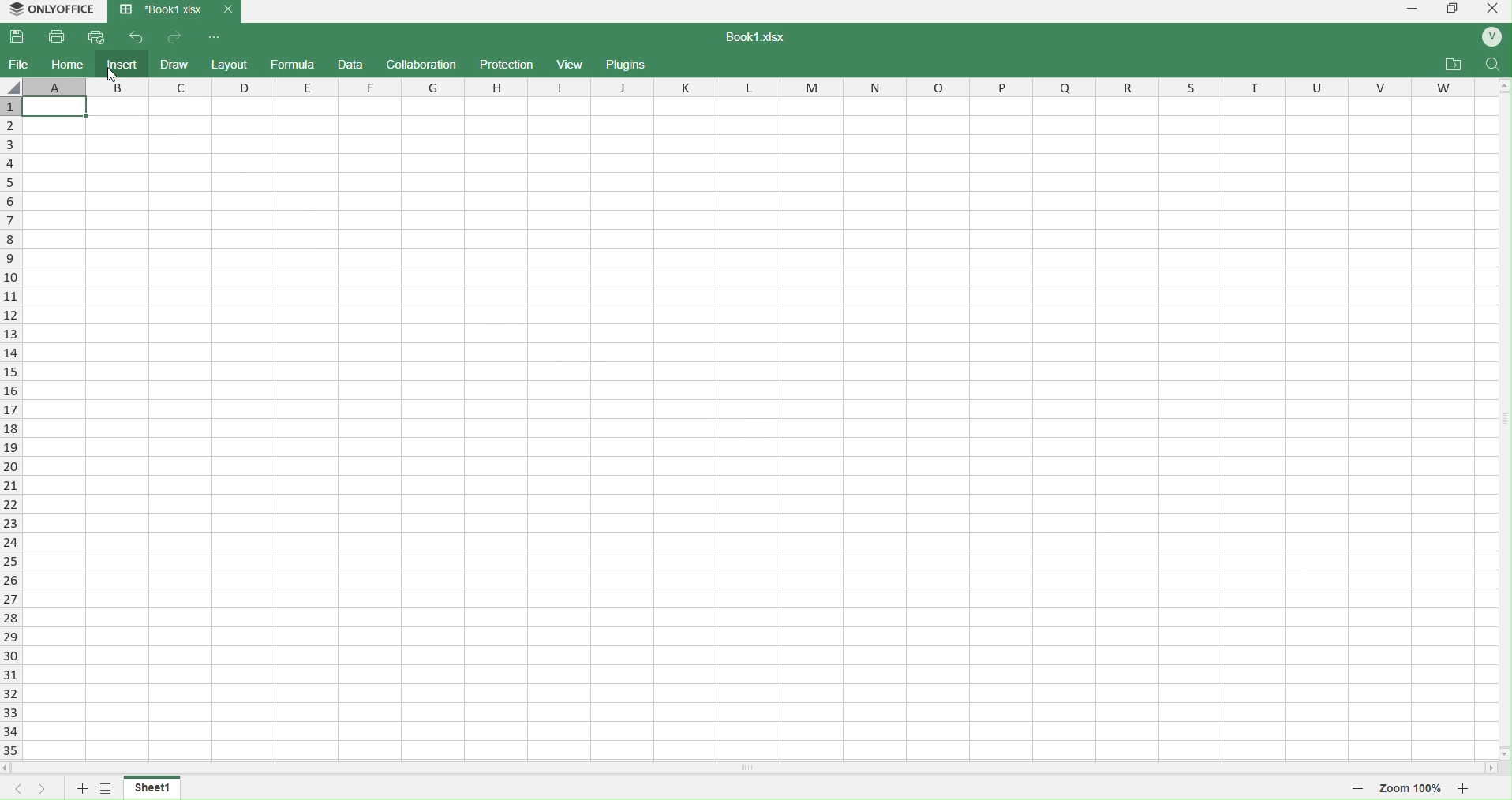 This screenshot has width=1512, height=800. I want to click on sheet1, so click(154, 787).